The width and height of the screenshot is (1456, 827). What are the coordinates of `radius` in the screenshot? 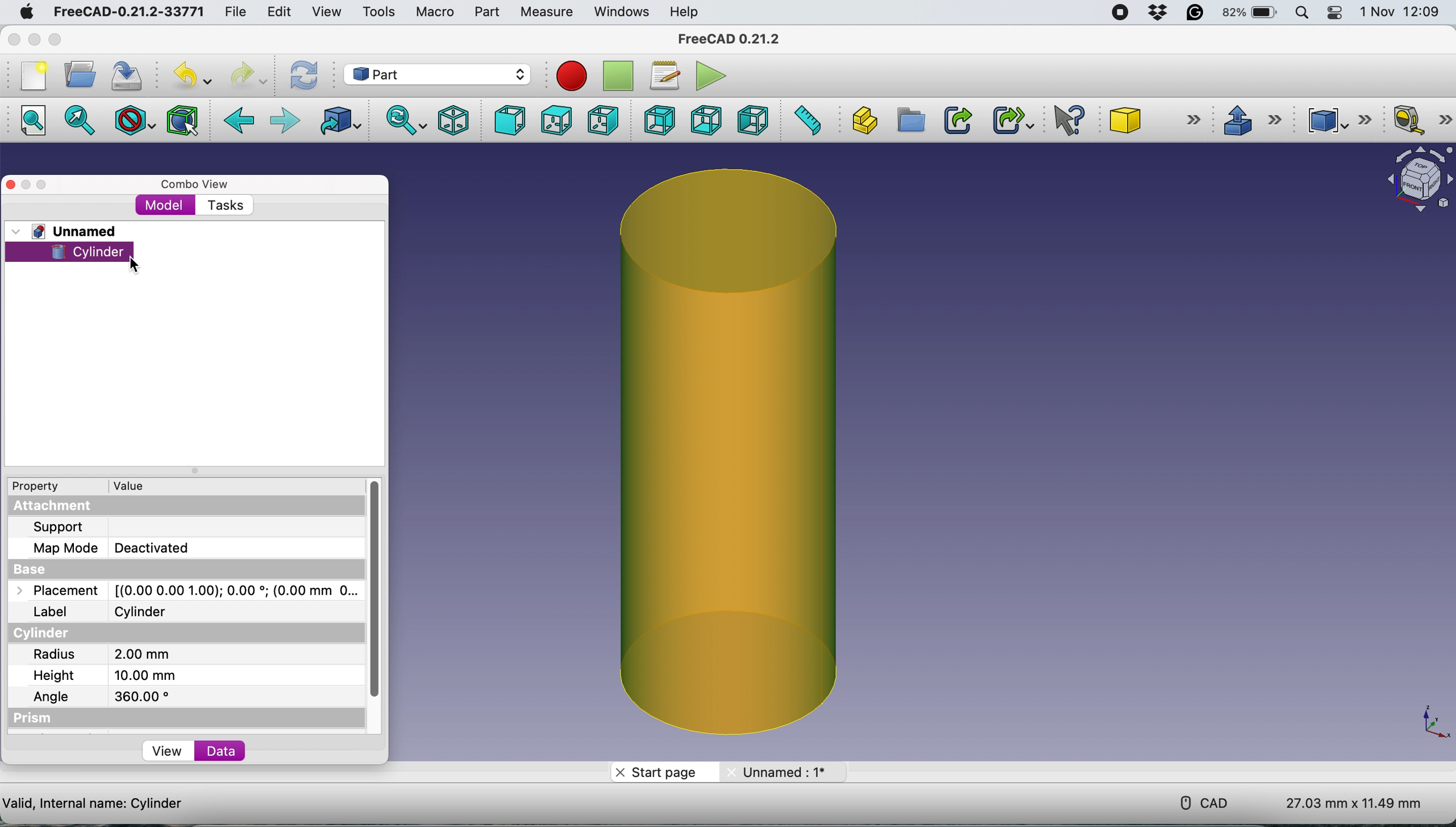 It's located at (101, 657).